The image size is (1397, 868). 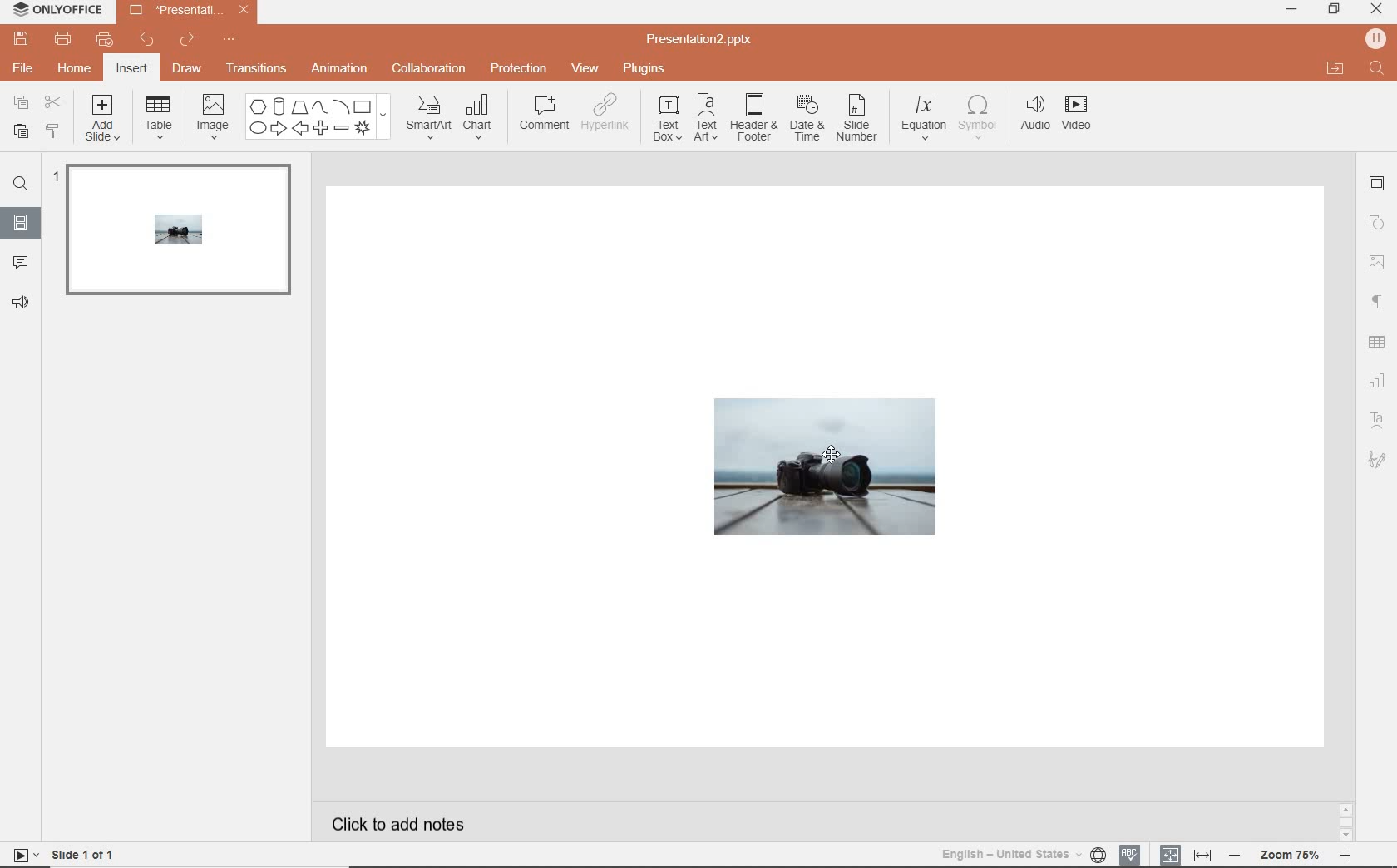 What do you see at coordinates (809, 118) in the screenshot?
I see `date & time` at bounding box center [809, 118].